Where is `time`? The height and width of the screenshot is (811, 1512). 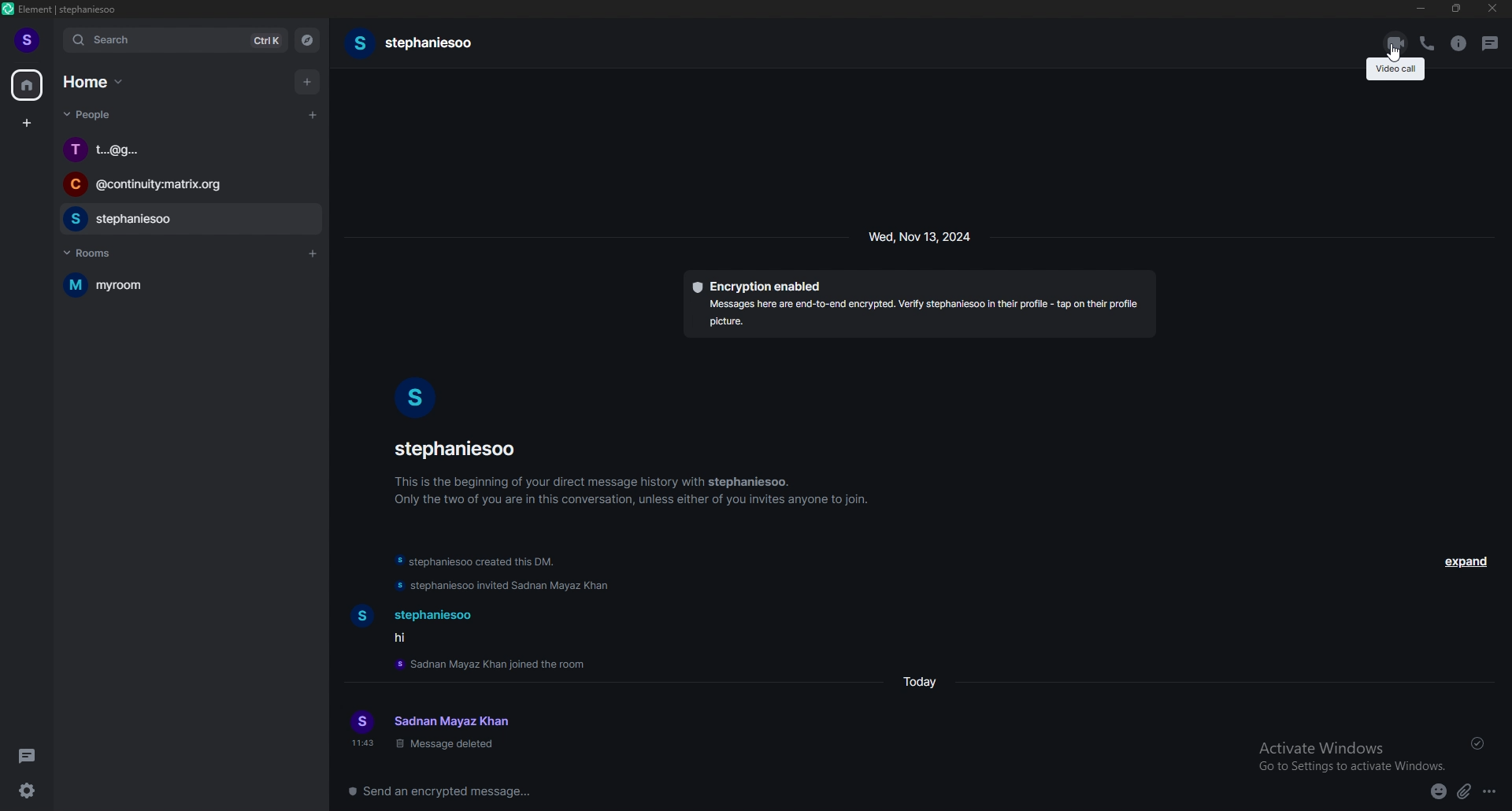
time is located at coordinates (922, 235).